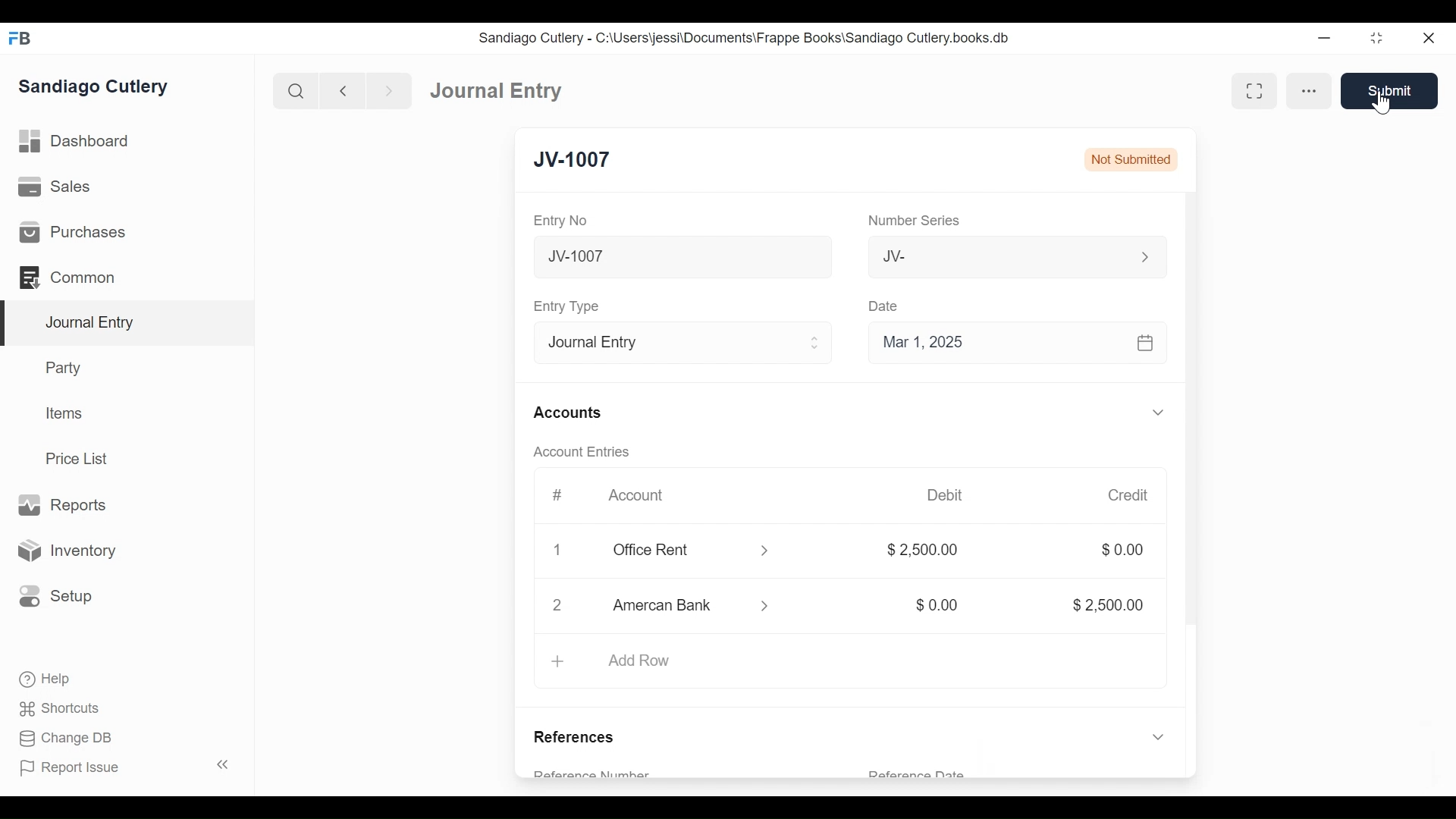 This screenshot has width=1456, height=819. I want to click on Add Row, so click(849, 663).